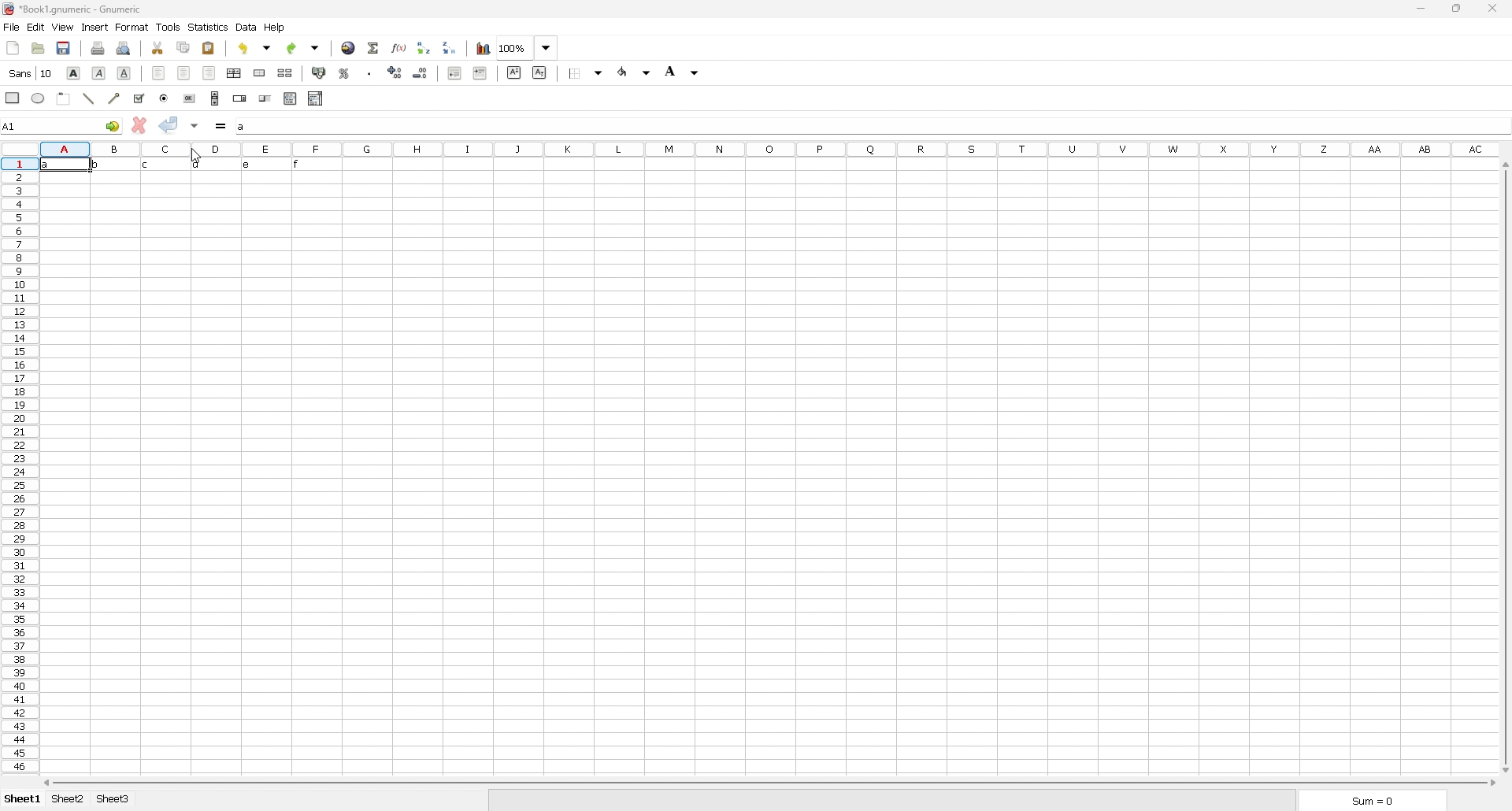 This screenshot has height=811, width=1512. I want to click on slider, so click(265, 98).